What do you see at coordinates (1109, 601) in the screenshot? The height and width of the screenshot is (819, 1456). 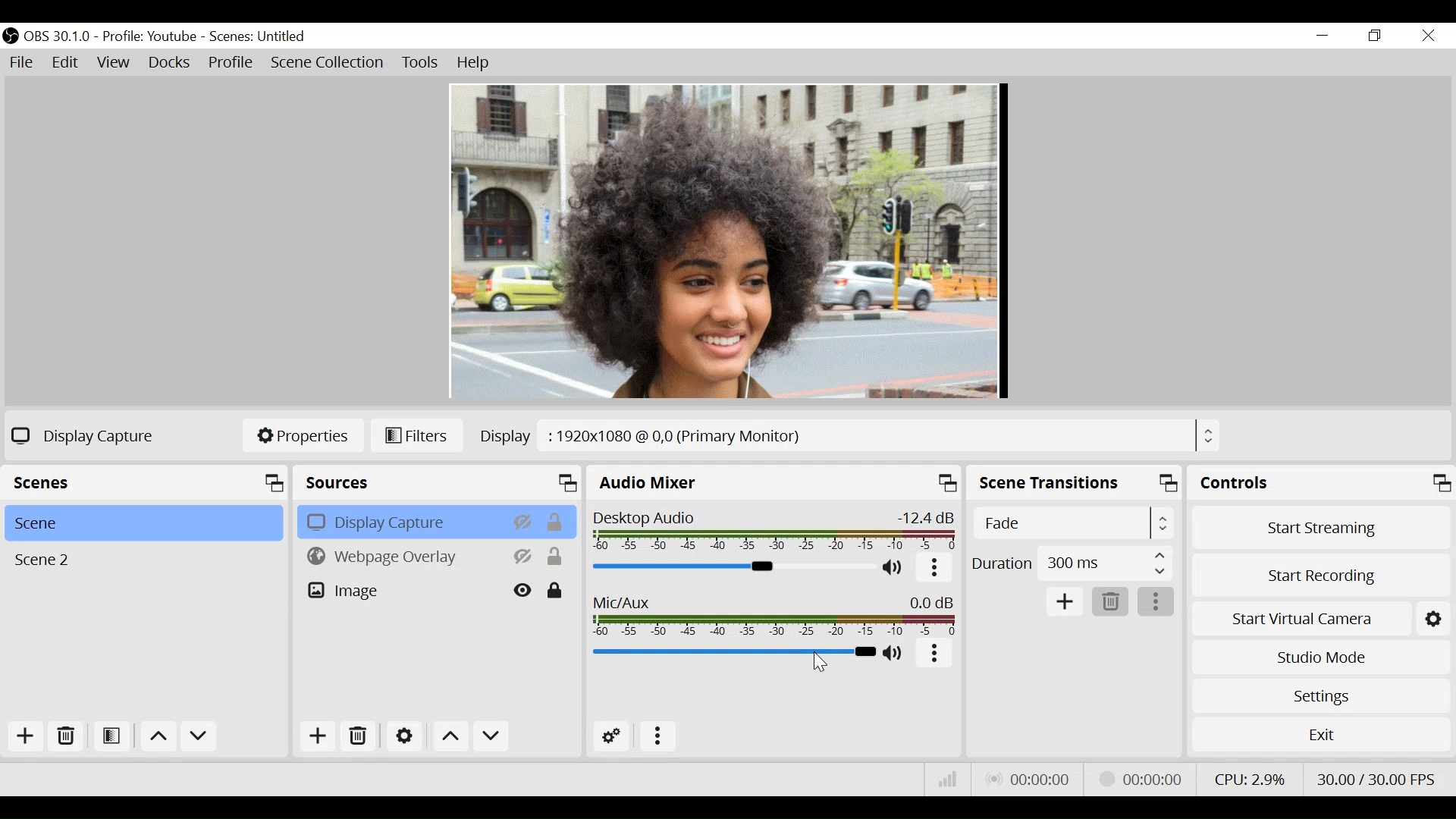 I see `Delete` at bounding box center [1109, 601].